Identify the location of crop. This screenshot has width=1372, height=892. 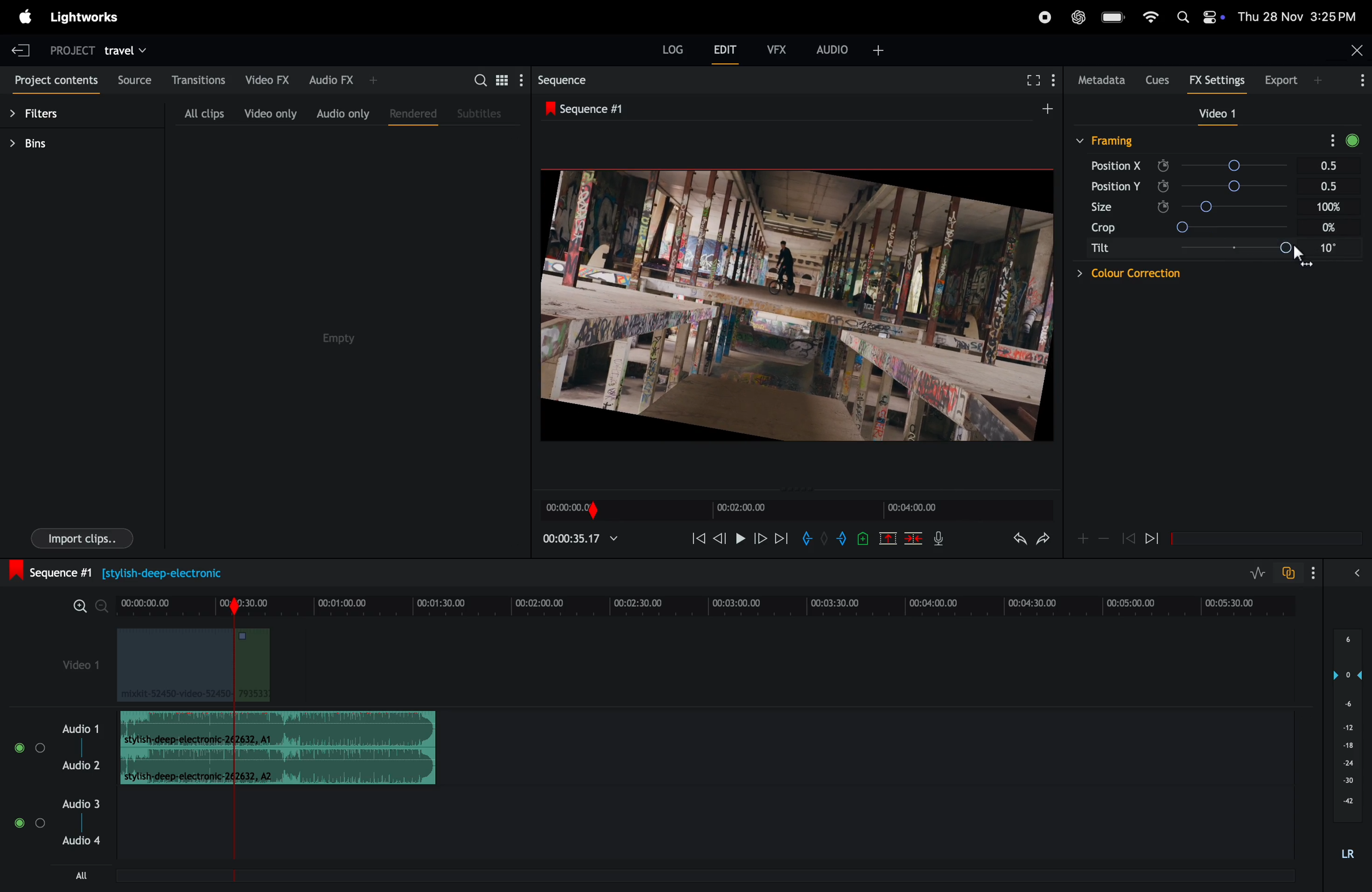
(1124, 230).